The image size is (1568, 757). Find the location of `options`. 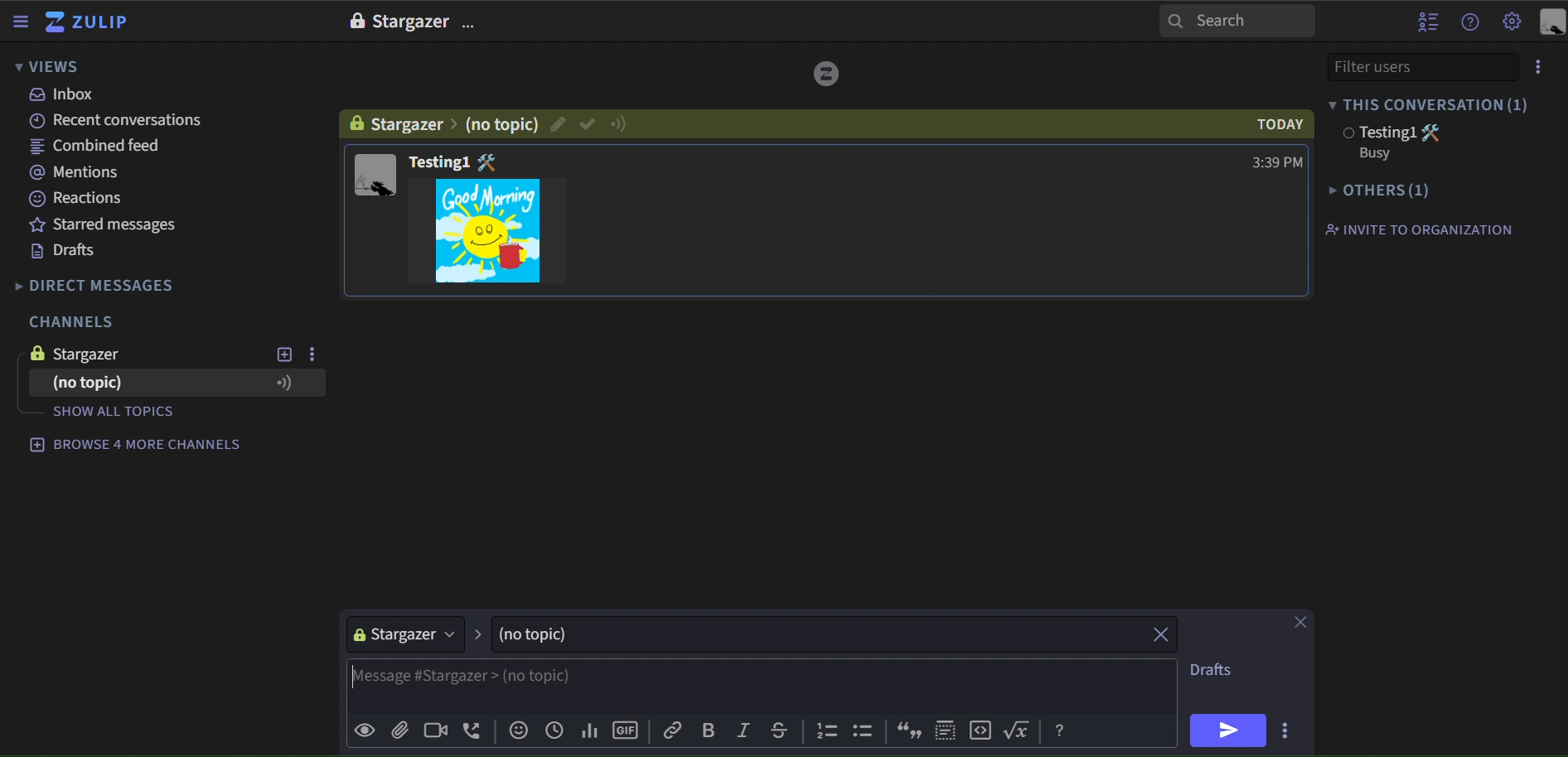

options is located at coordinates (1539, 67).